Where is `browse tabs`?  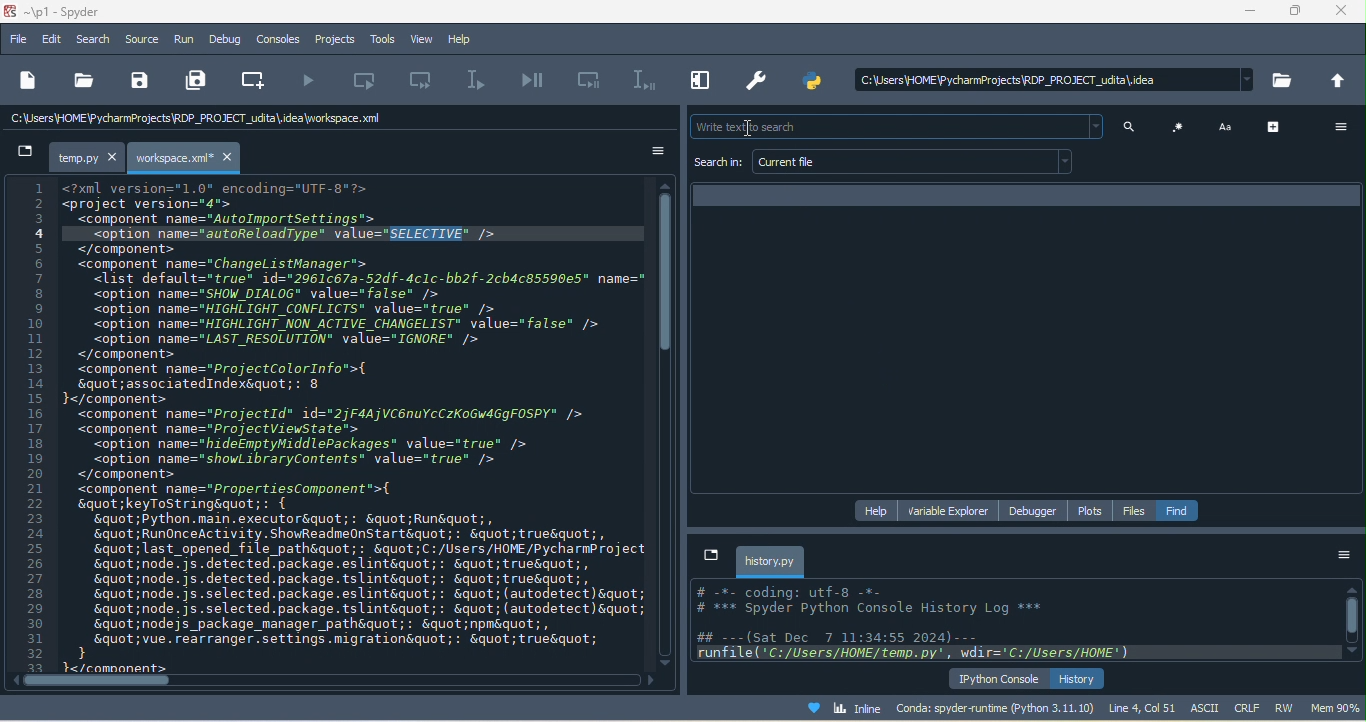
browse tabs is located at coordinates (709, 555).